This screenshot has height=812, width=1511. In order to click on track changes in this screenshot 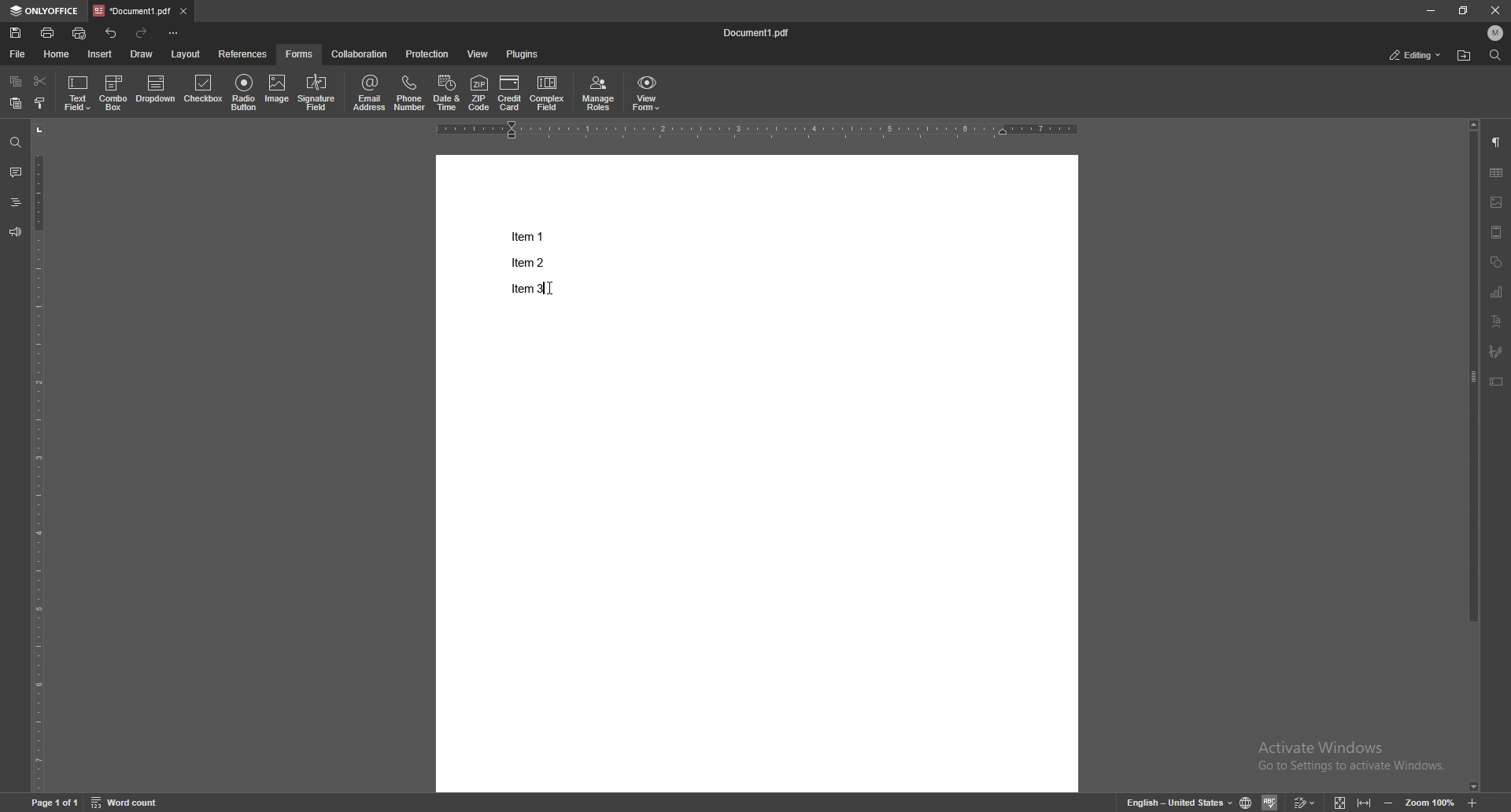, I will do `click(1304, 801)`.